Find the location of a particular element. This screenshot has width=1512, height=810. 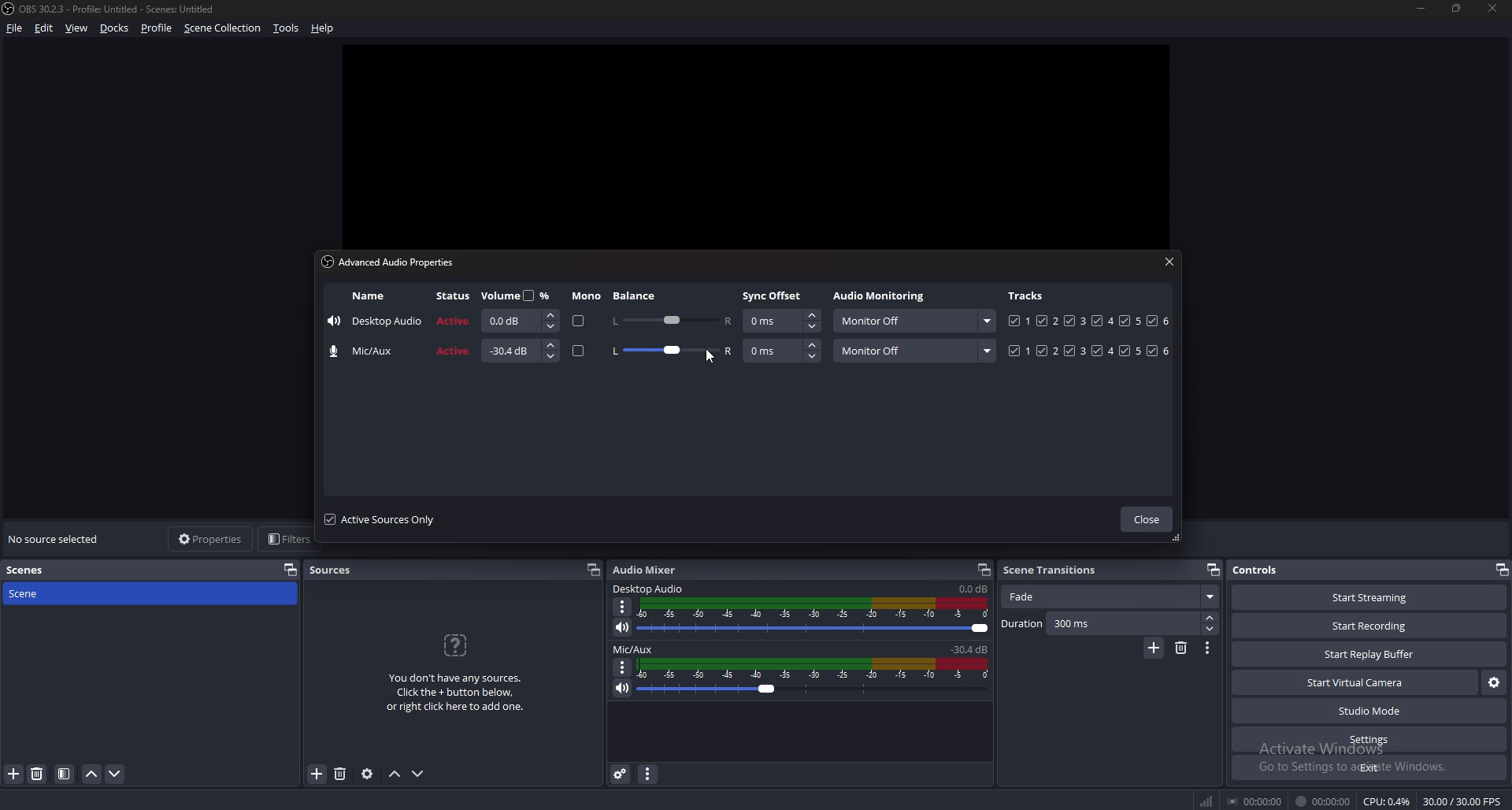

monitor off is located at coordinates (914, 350).